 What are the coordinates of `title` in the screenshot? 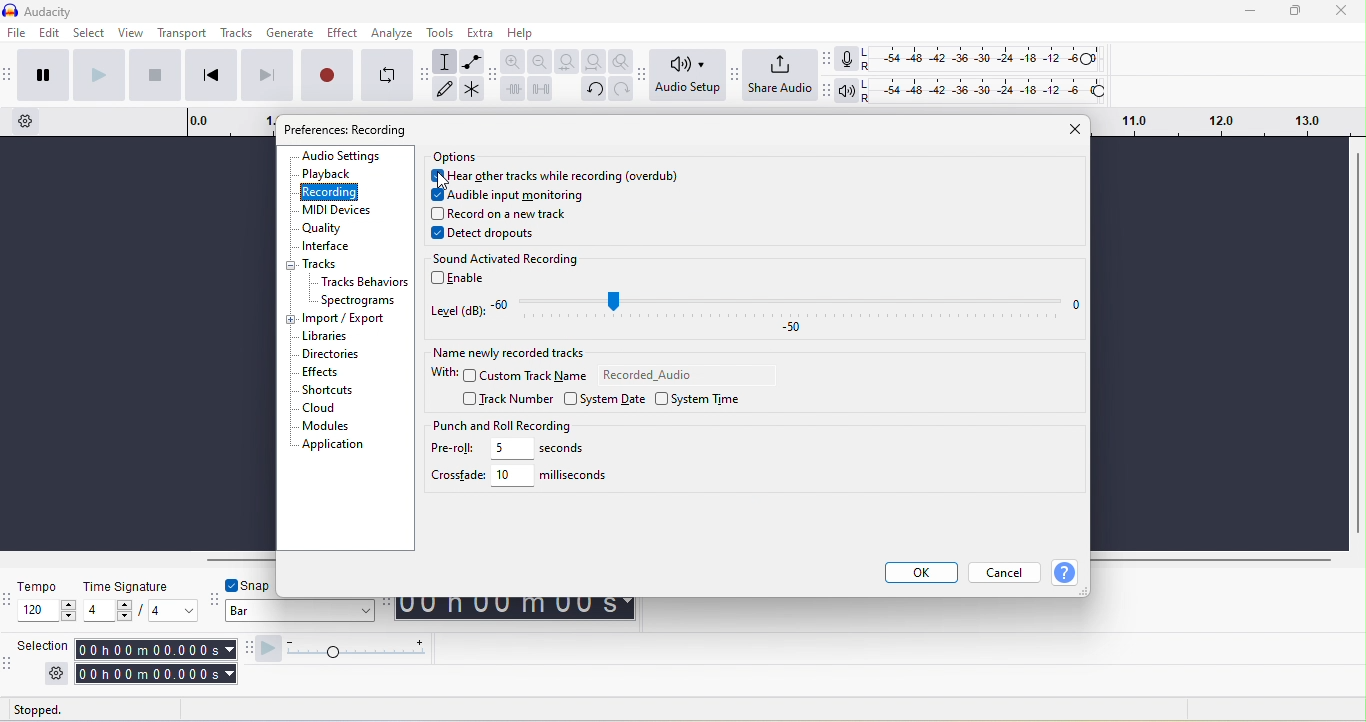 It's located at (57, 11).